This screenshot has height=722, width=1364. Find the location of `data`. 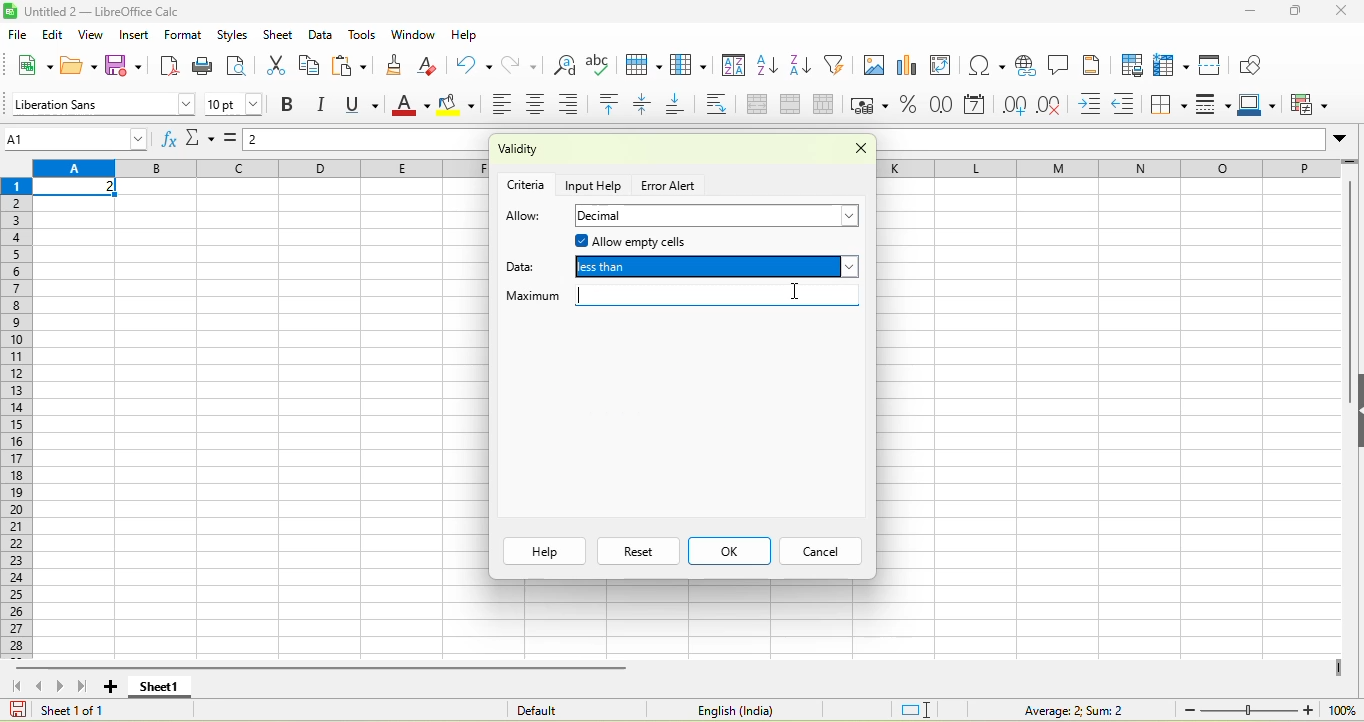

data is located at coordinates (526, 264).